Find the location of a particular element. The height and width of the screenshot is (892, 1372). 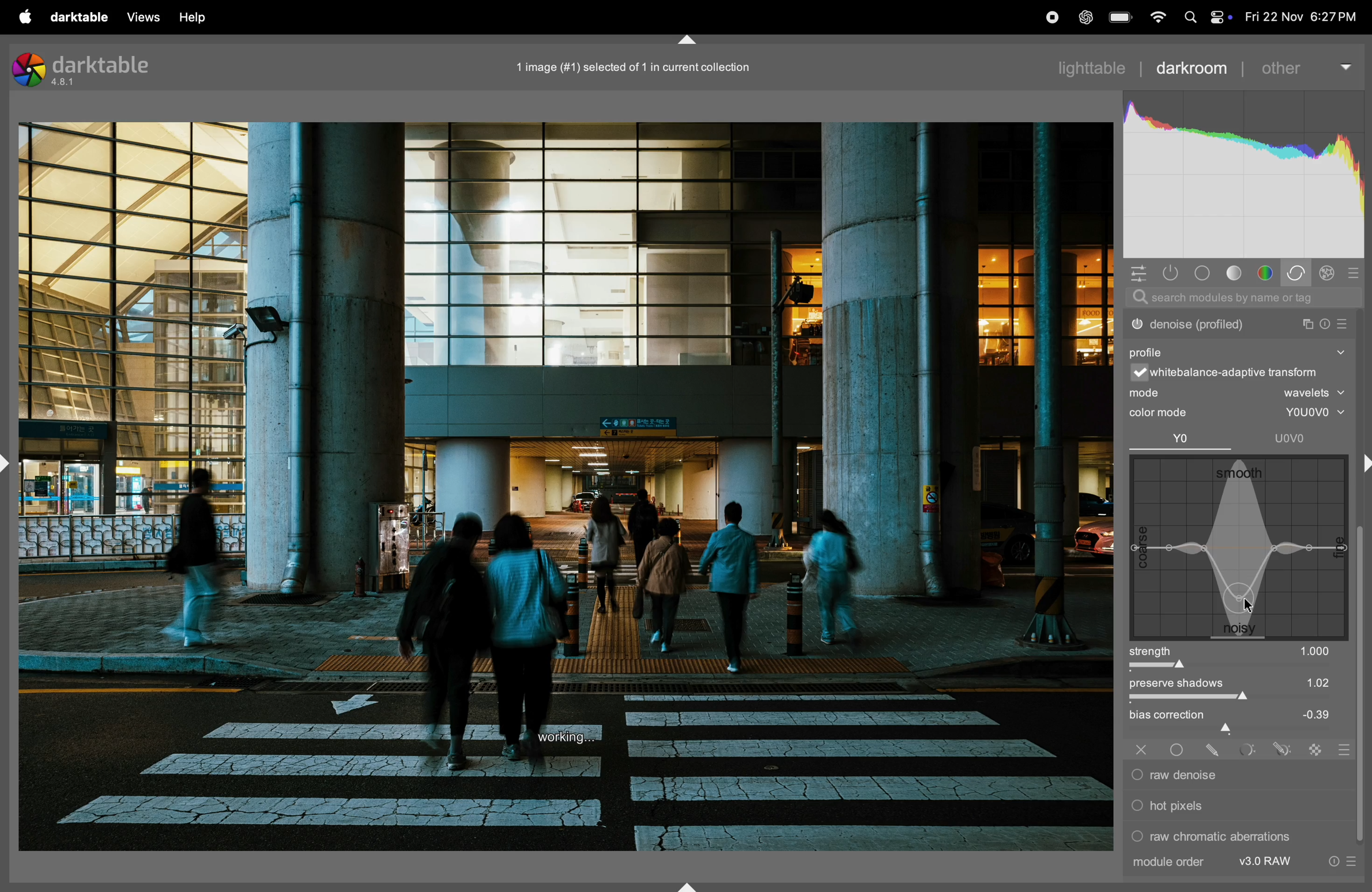

apple widgets is located at coordinates (1220, 18).